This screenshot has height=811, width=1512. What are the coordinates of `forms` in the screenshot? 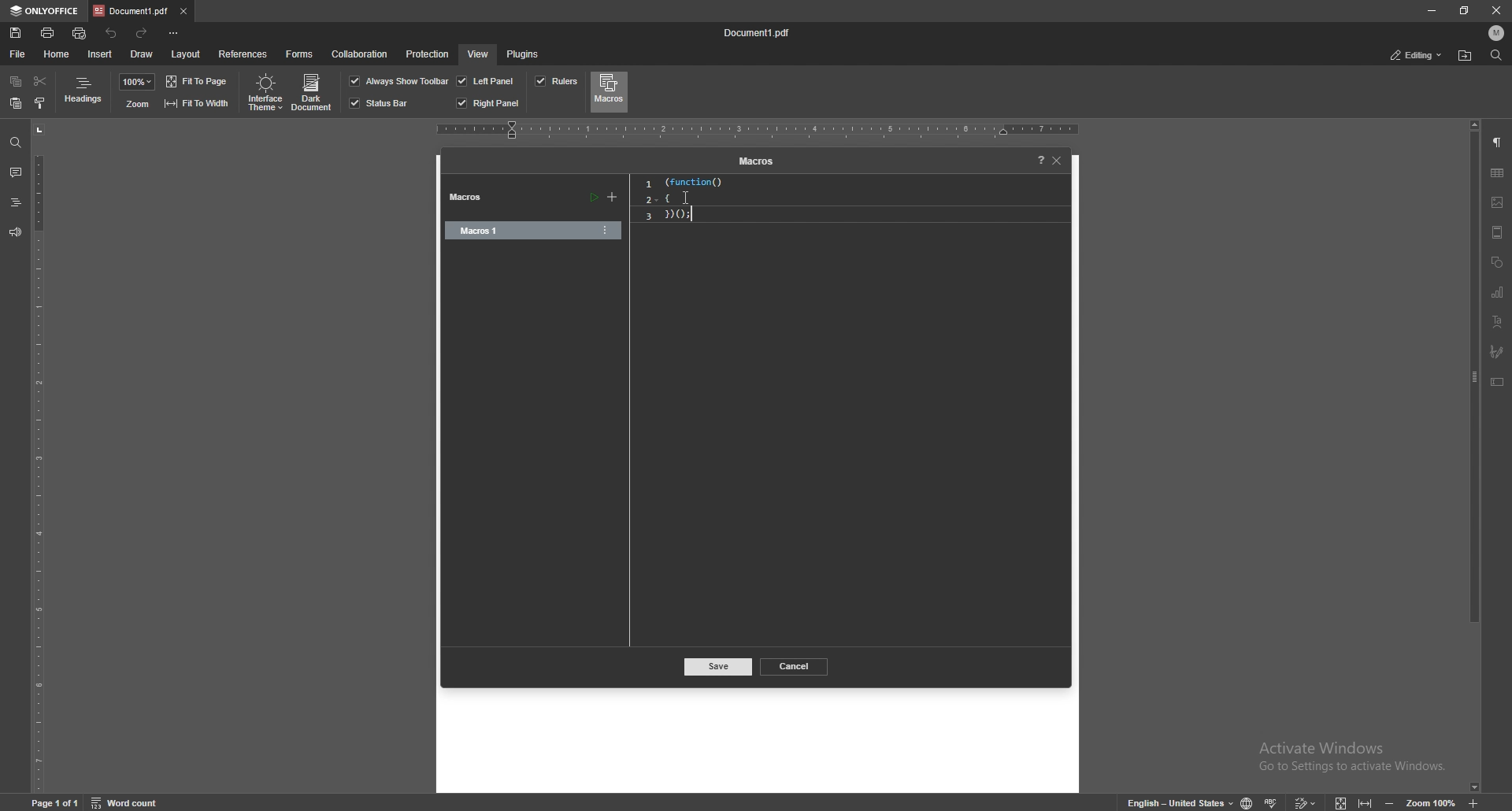 It's located at (301, 53).